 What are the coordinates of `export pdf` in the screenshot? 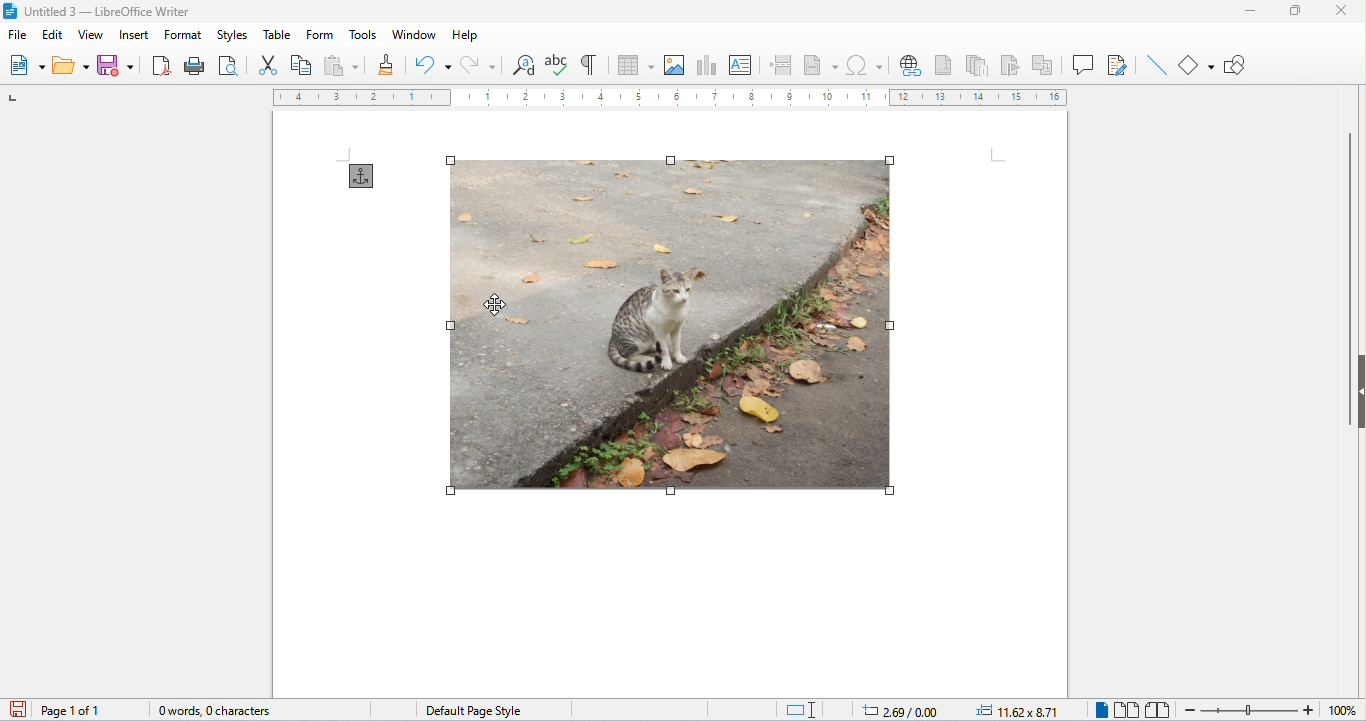 It's located at (163, 65).